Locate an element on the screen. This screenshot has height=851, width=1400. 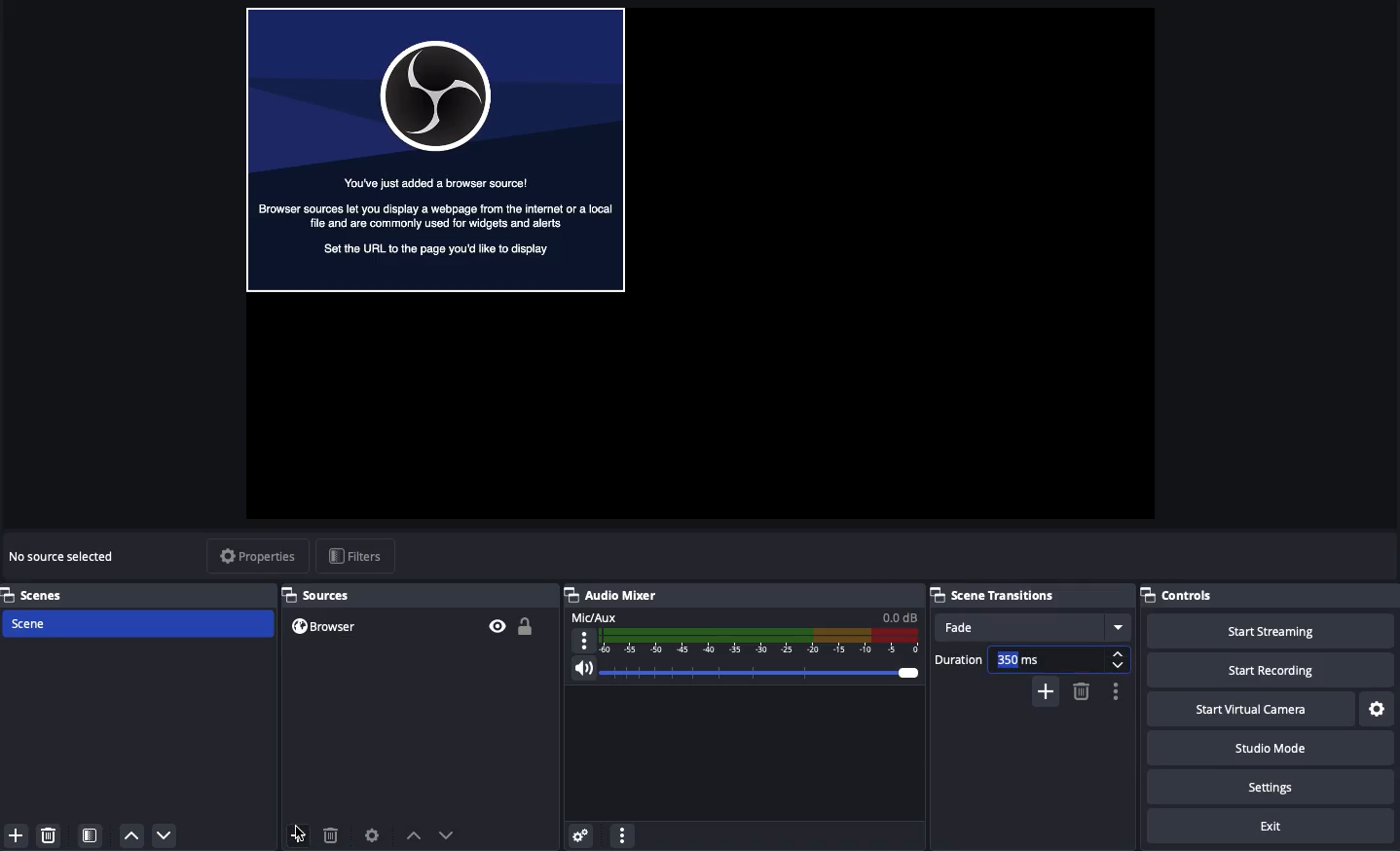
Duration is located at coordinates (1030, 660).